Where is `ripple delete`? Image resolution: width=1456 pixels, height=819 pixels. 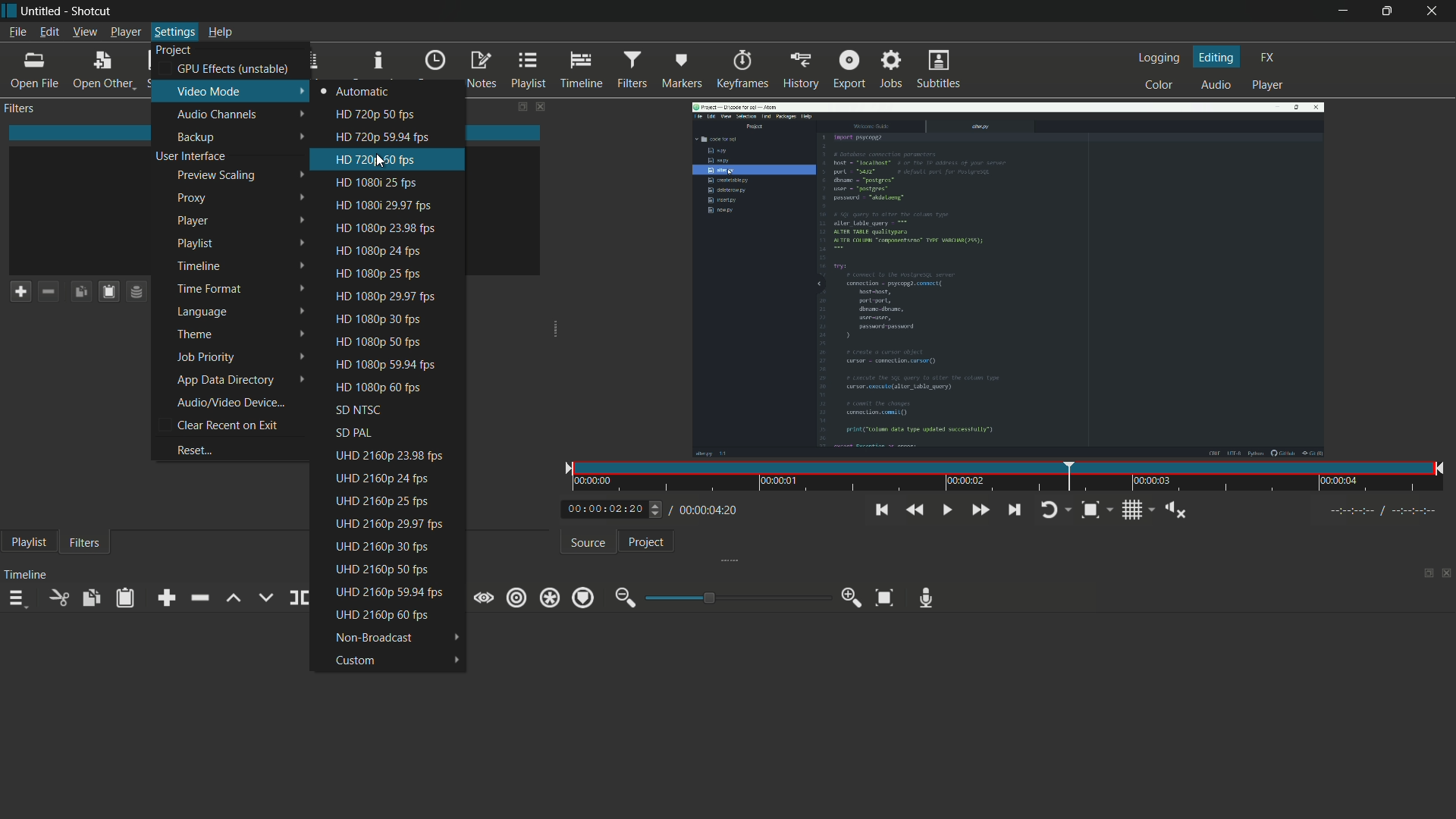
ripple delete is located at coordinates (199, 598).